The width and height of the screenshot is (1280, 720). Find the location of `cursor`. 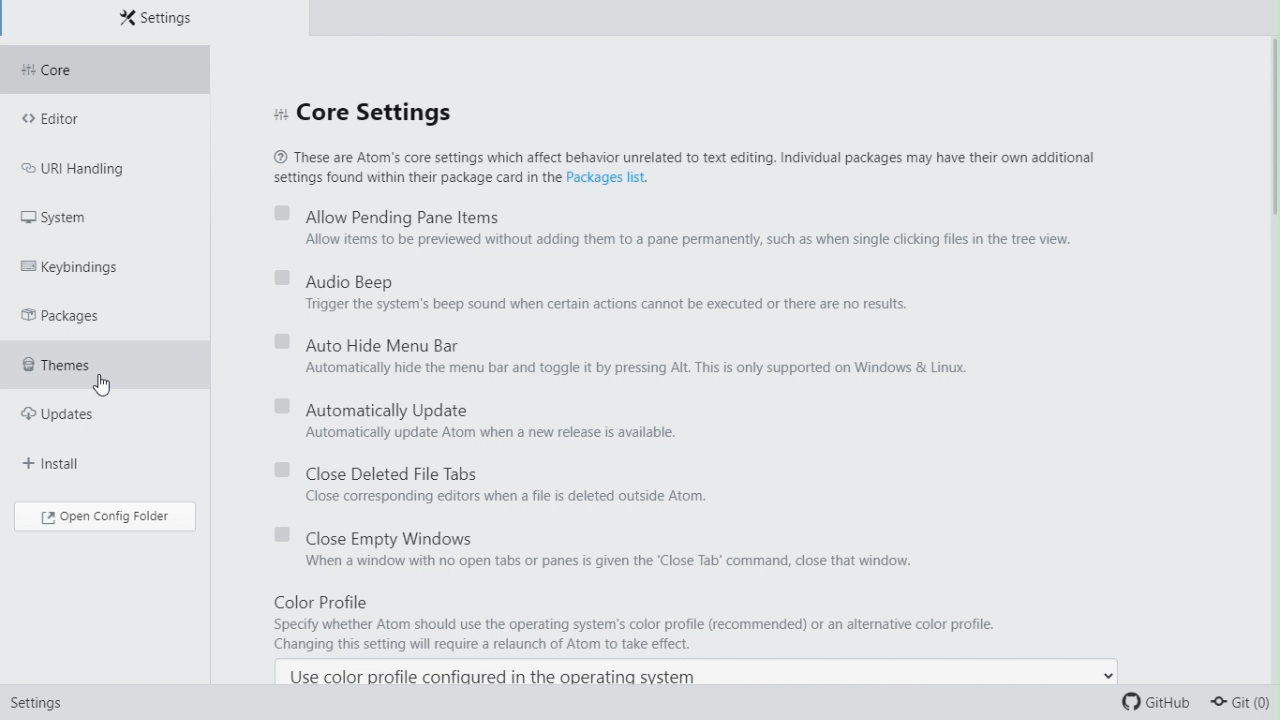

cursor is located at coordinates (107, 389).